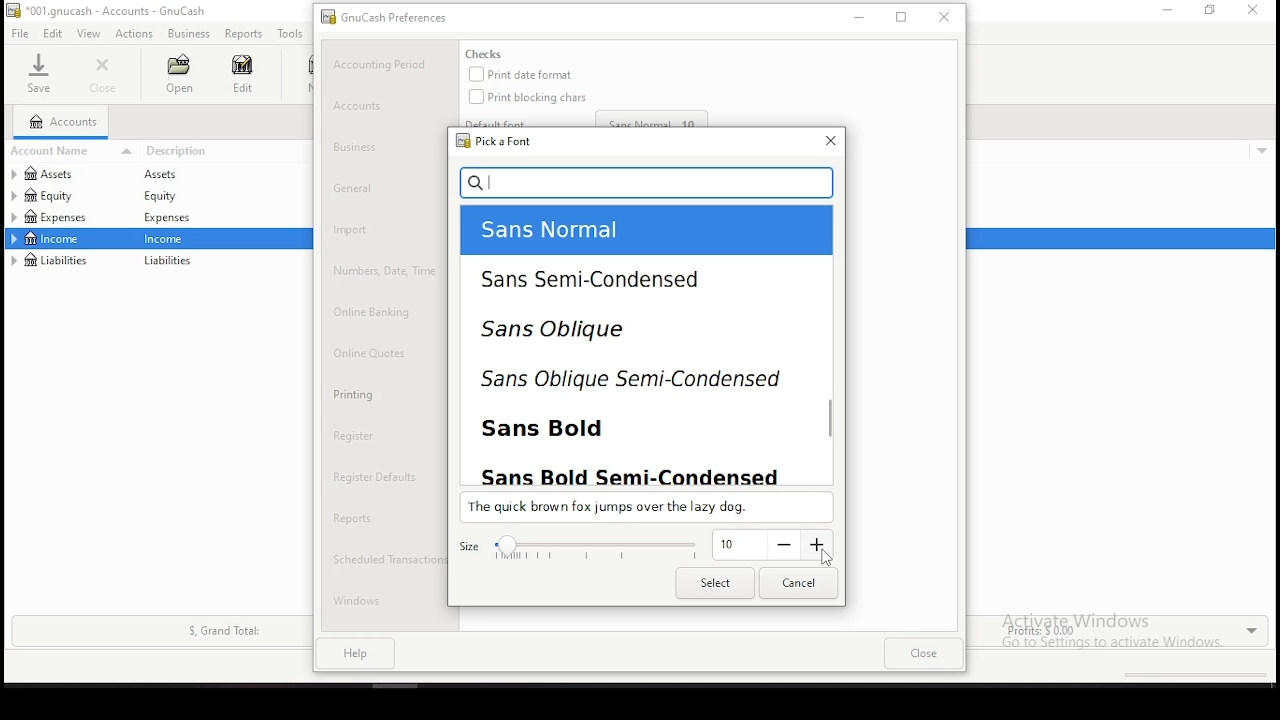 This screenshot has width=1280, height=720. Describe the element at coordinates (224, 151) in the screenshot. I see `description` at that location.